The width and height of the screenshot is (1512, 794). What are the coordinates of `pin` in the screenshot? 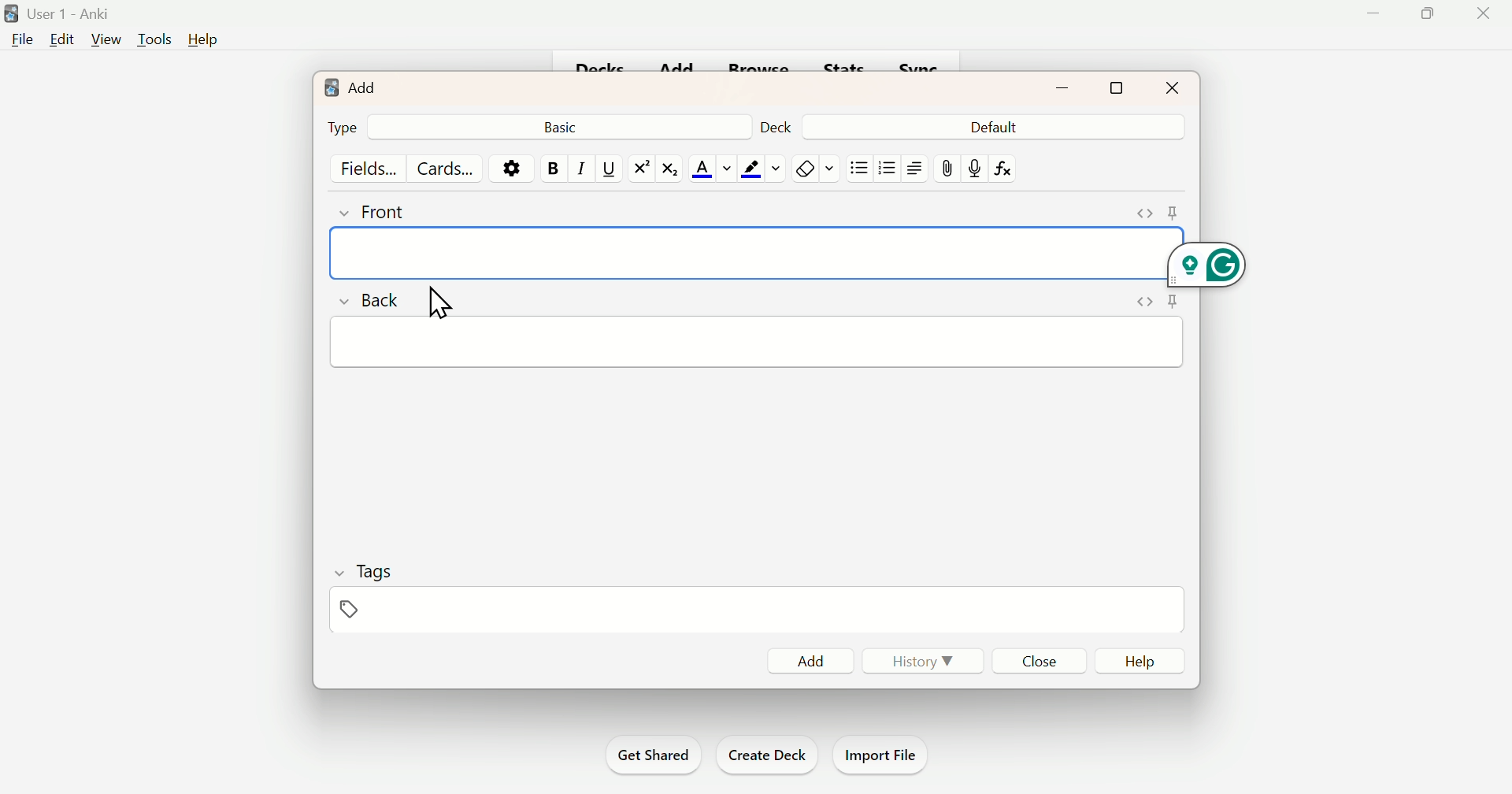 It's located at (1175, 211).